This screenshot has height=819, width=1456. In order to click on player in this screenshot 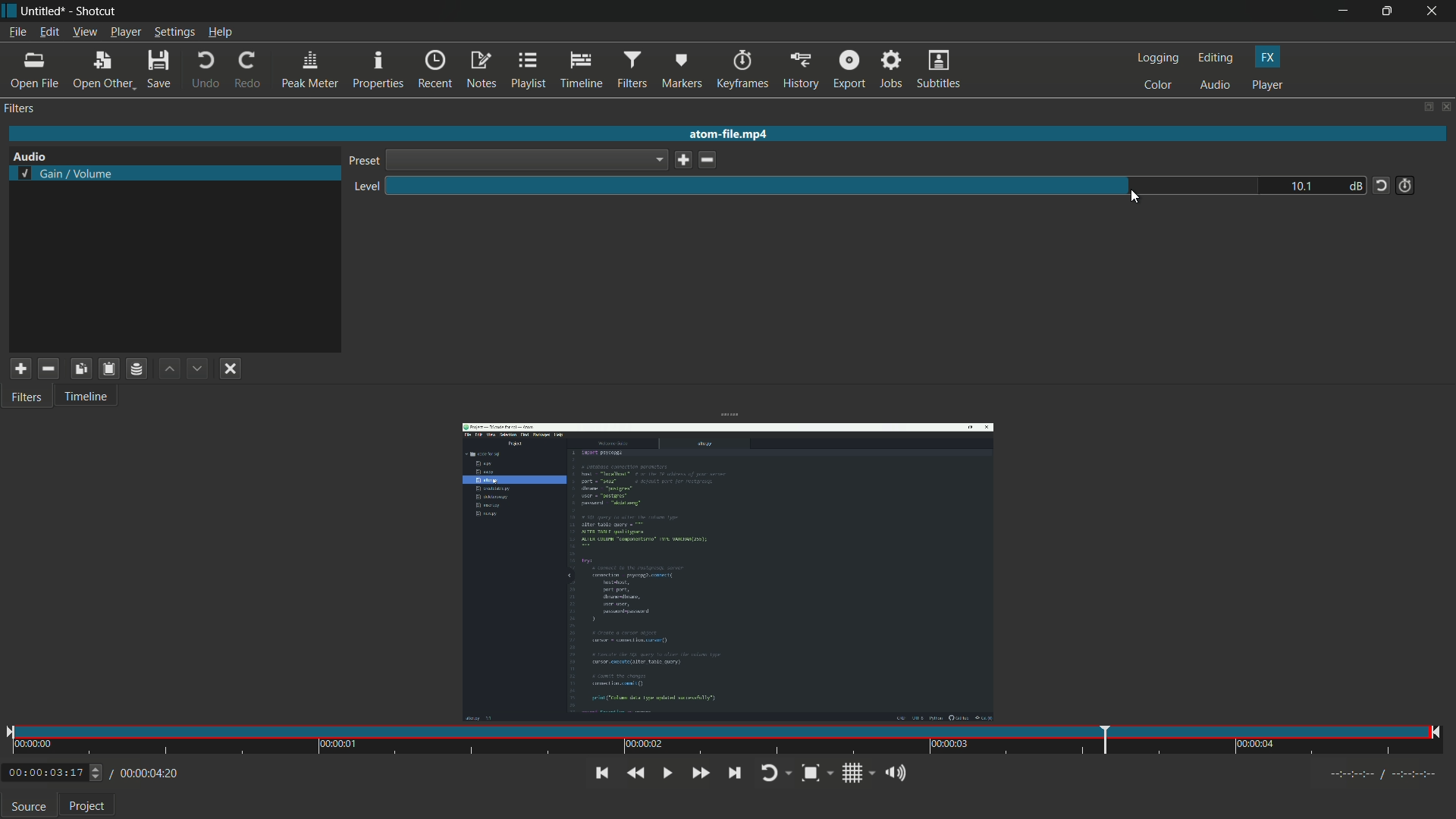, I will do `click(1267, 85)`.